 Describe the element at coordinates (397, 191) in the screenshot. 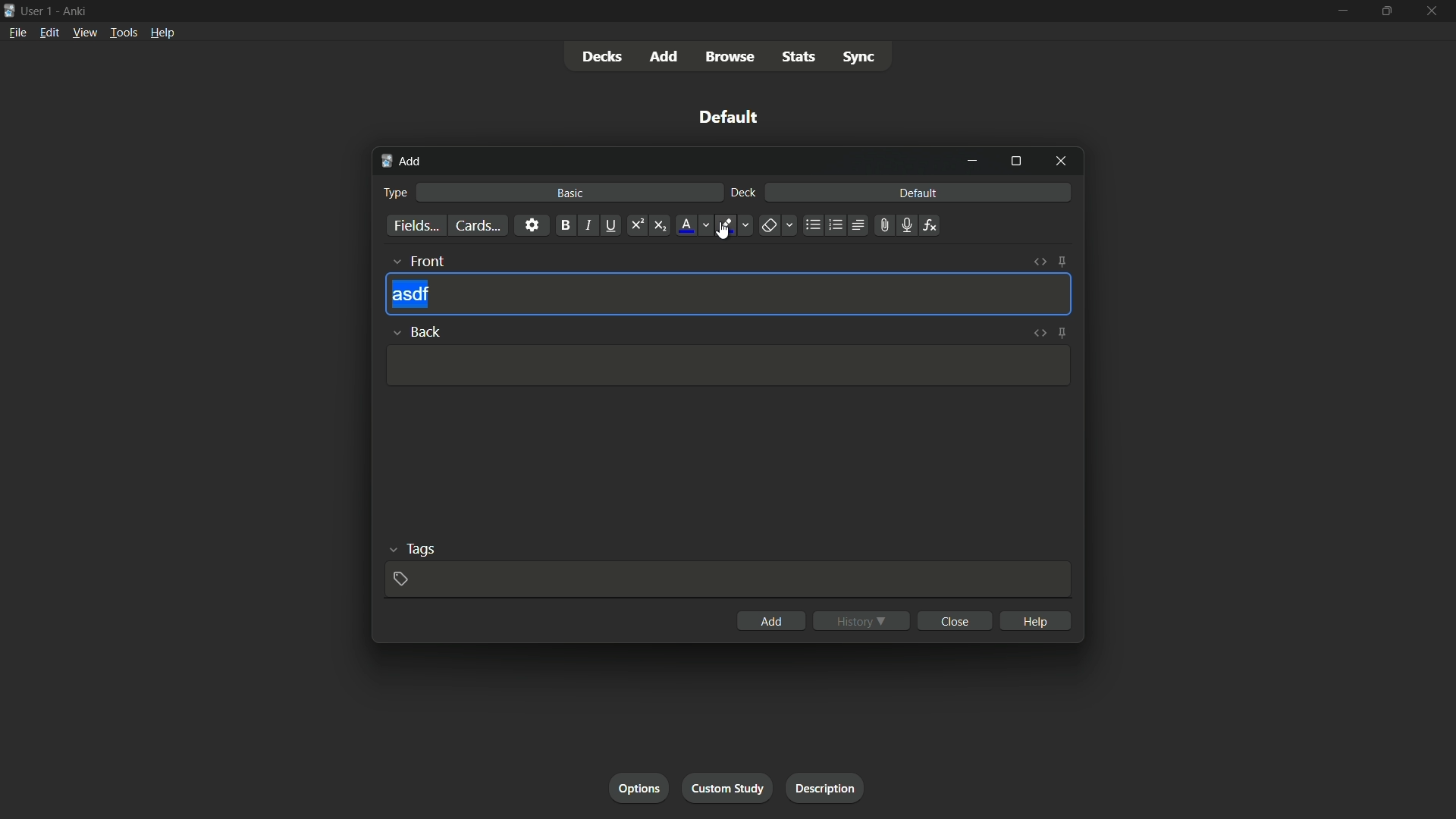

I see `type` at that location.